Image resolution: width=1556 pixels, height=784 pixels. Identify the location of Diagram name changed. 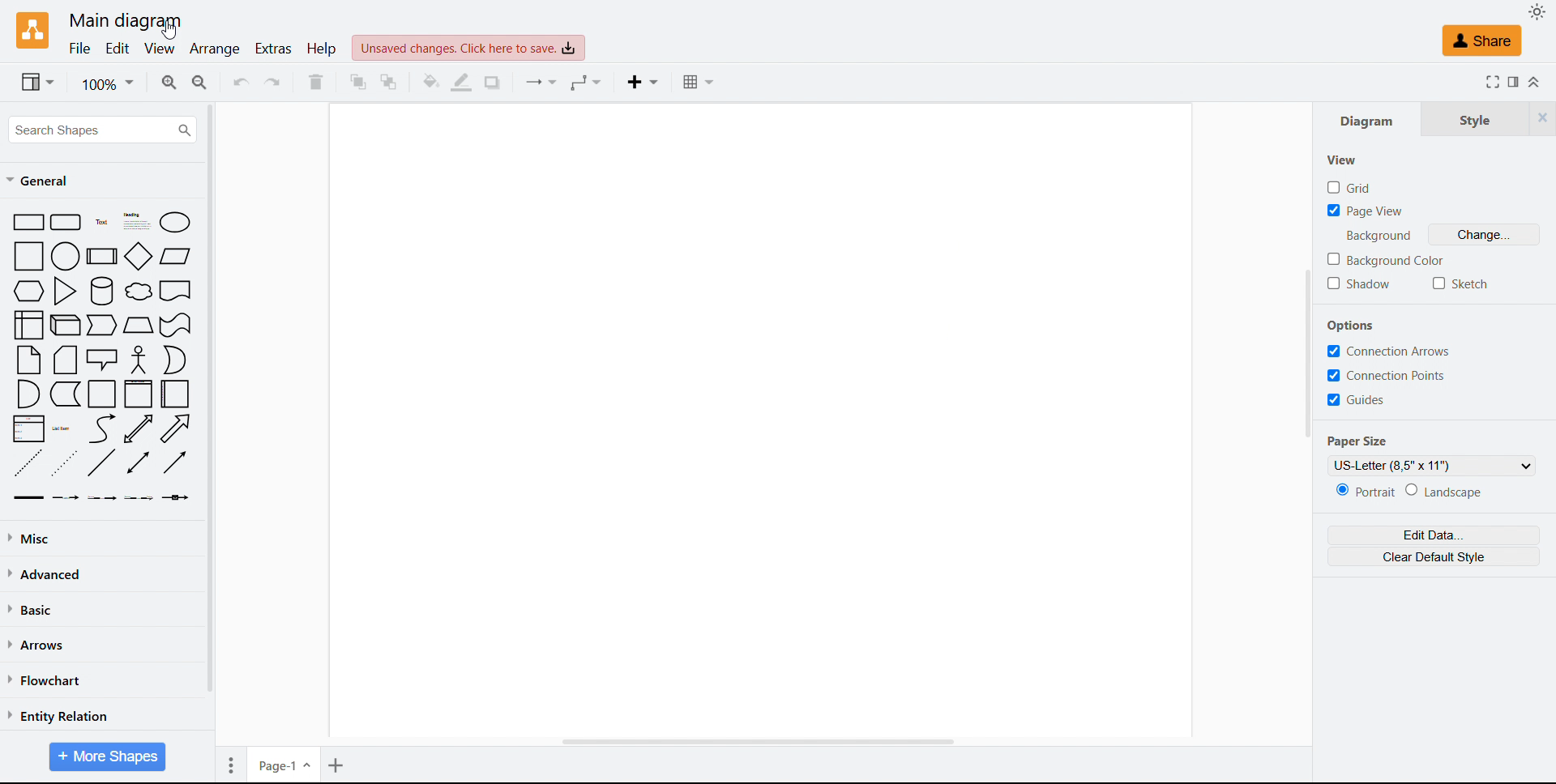
(126, 21).